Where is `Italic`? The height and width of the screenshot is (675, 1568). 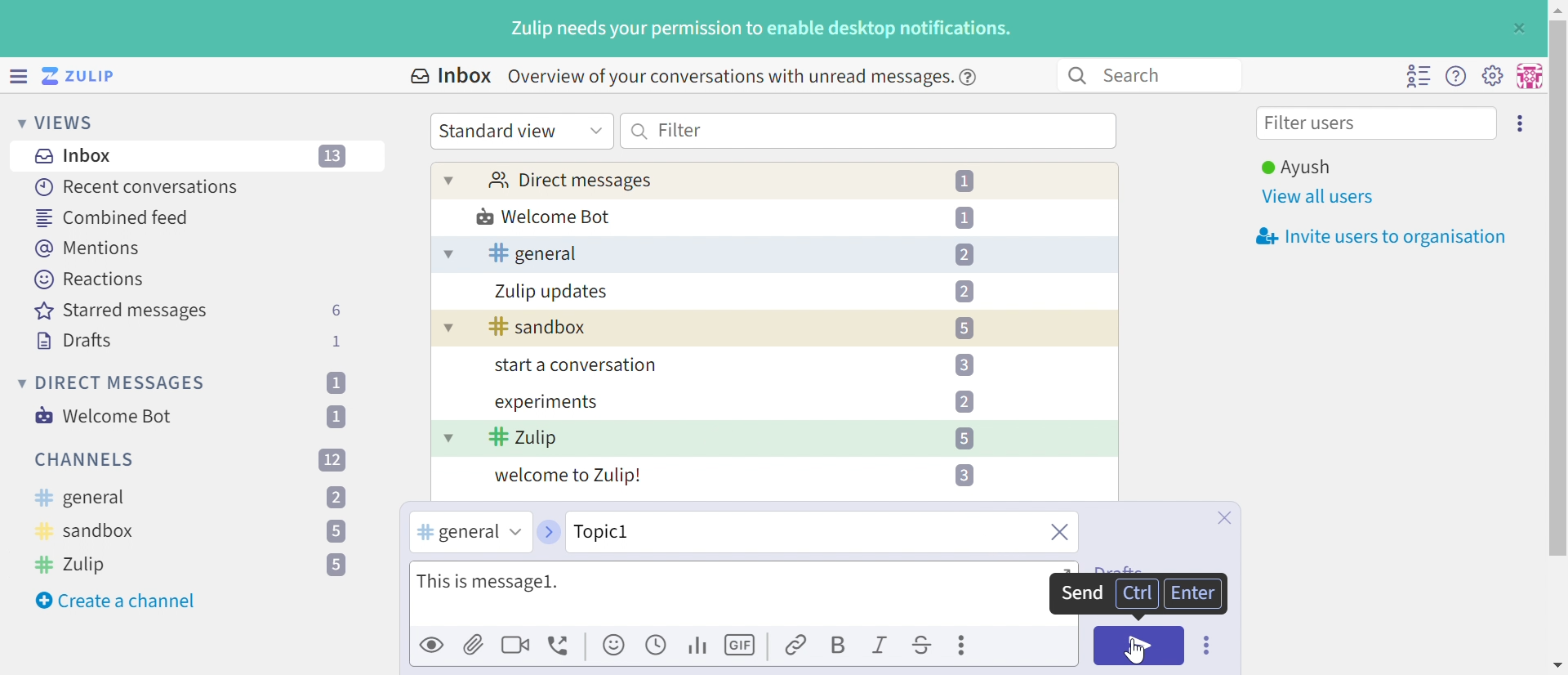
Italic is located at coordinates (881, 647).